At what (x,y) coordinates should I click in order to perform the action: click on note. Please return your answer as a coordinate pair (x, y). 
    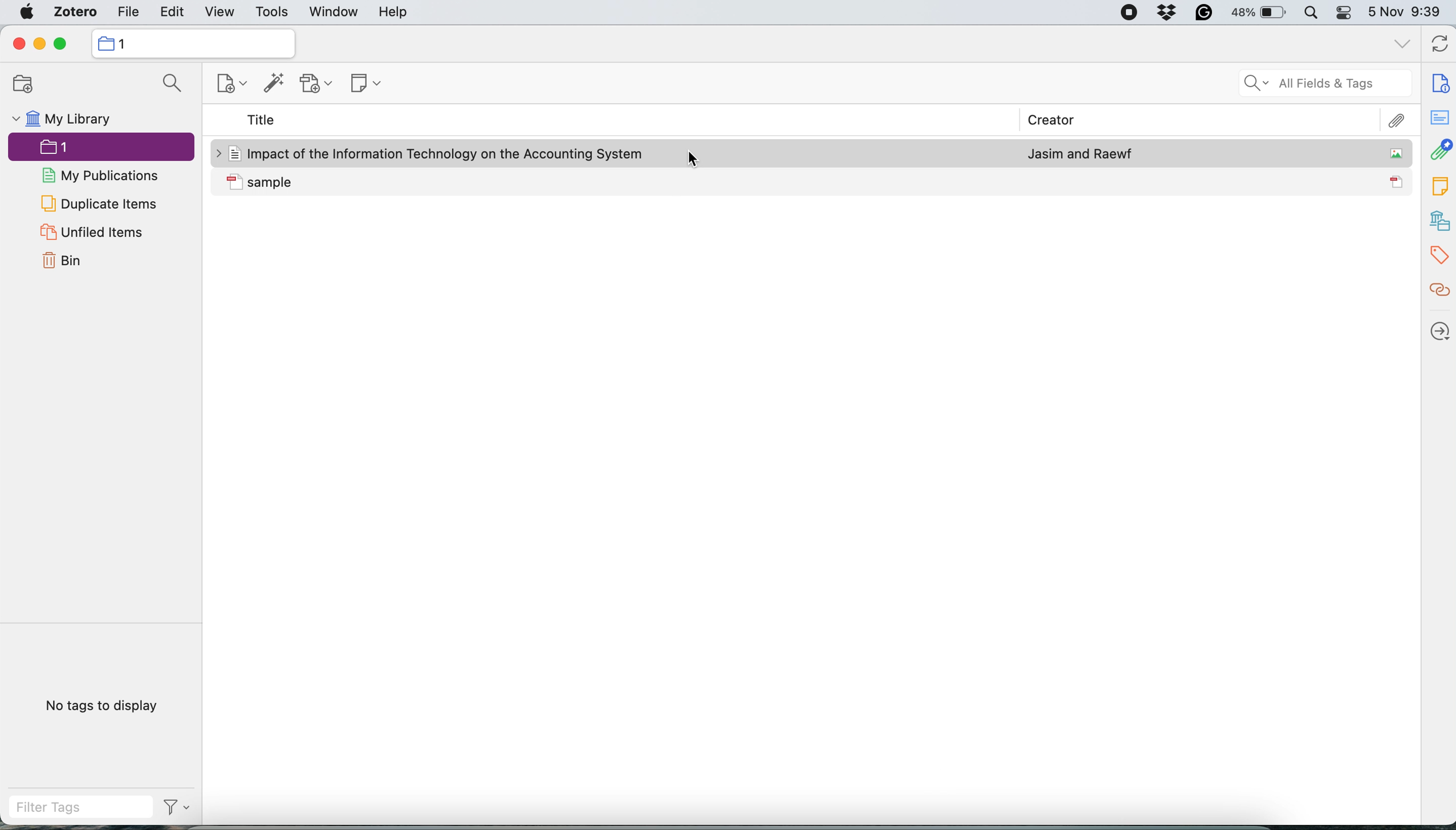
    Looking at the image, I should click on (1439, 186).